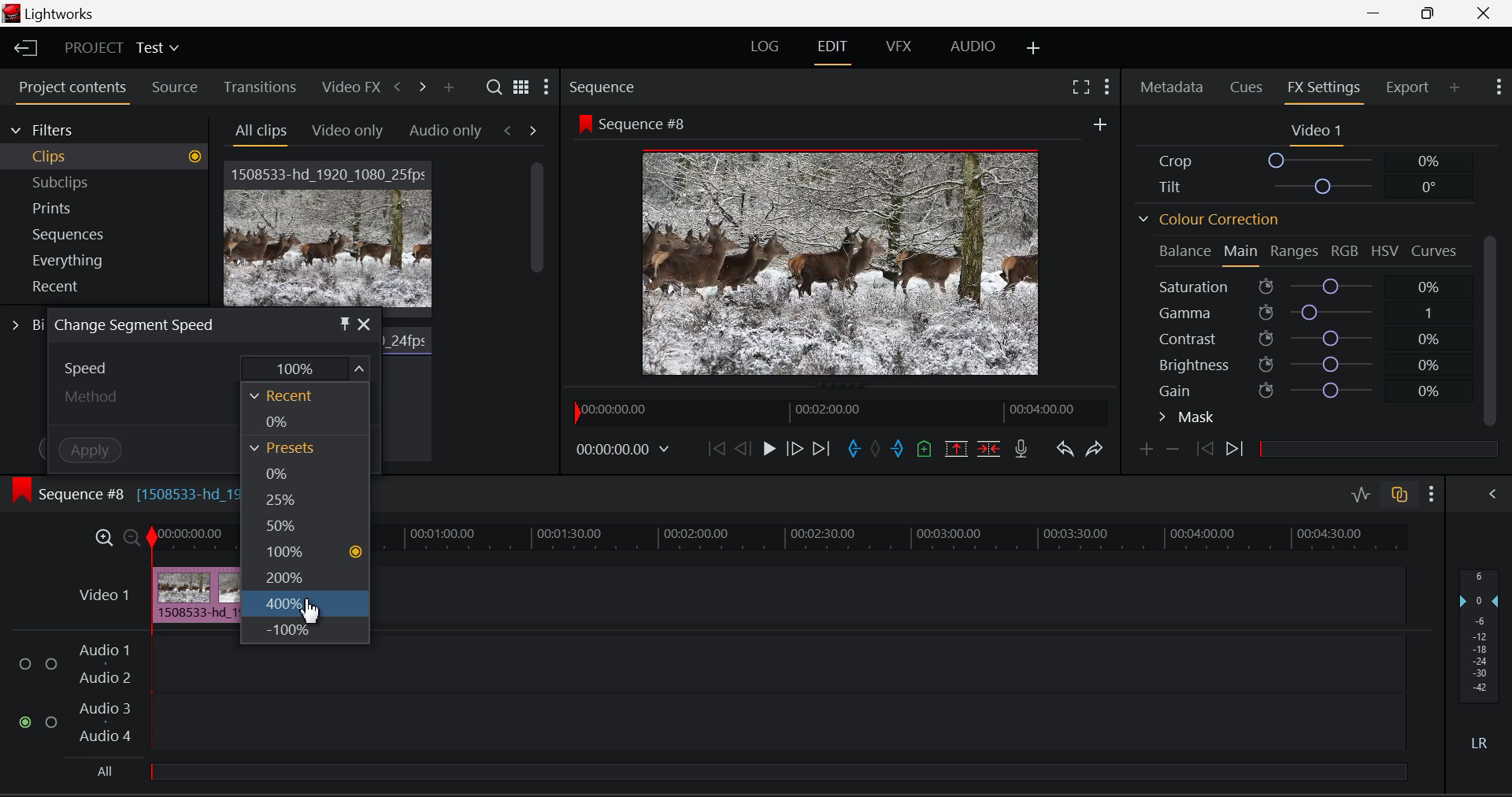  Describe the element at coordinates (535, 237) in the screenshot. I see `Scroll Bar` at that location.